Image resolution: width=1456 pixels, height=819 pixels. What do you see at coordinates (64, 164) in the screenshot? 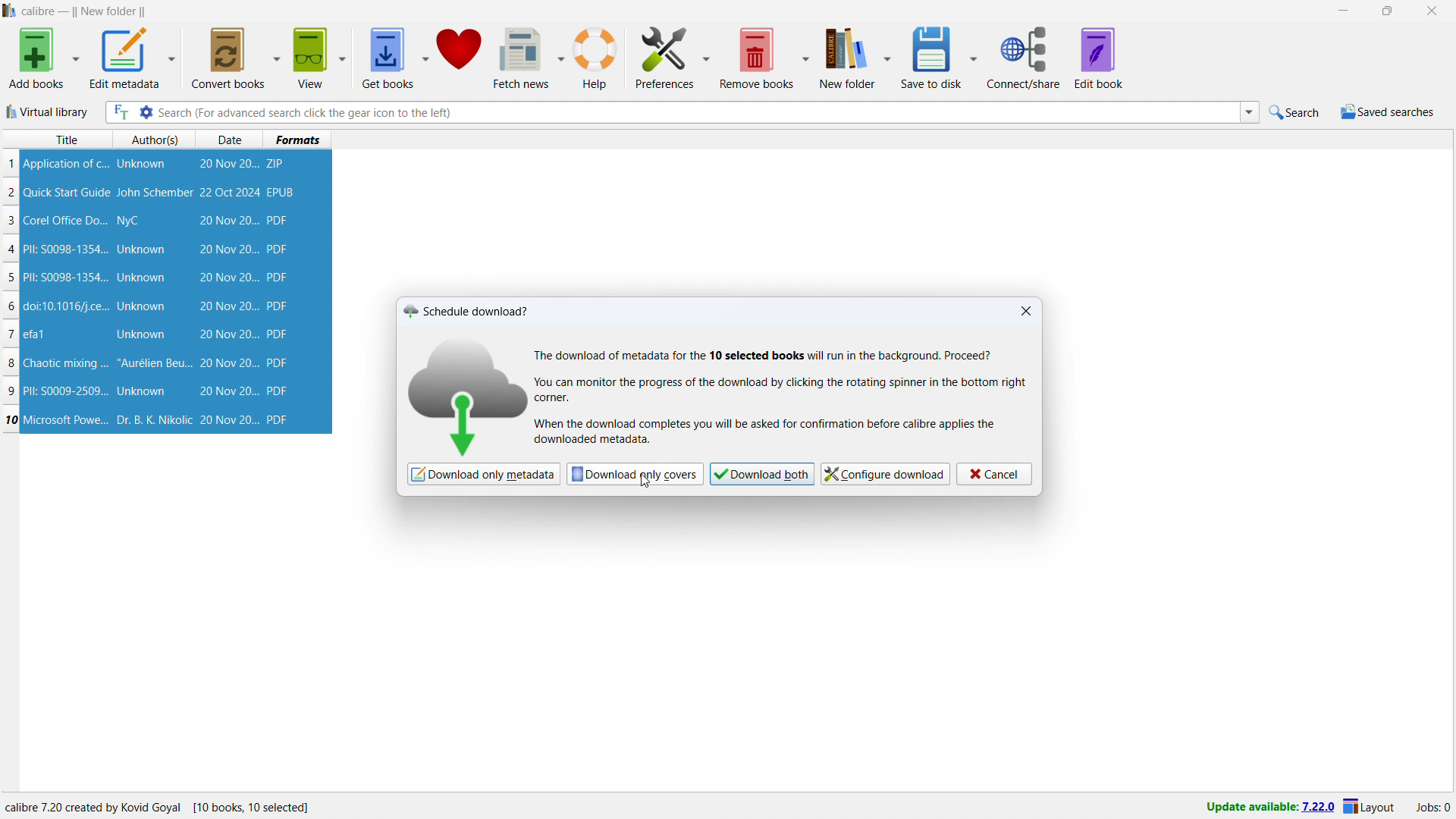
I see `Application of c...` at bounding box center [64, 164].